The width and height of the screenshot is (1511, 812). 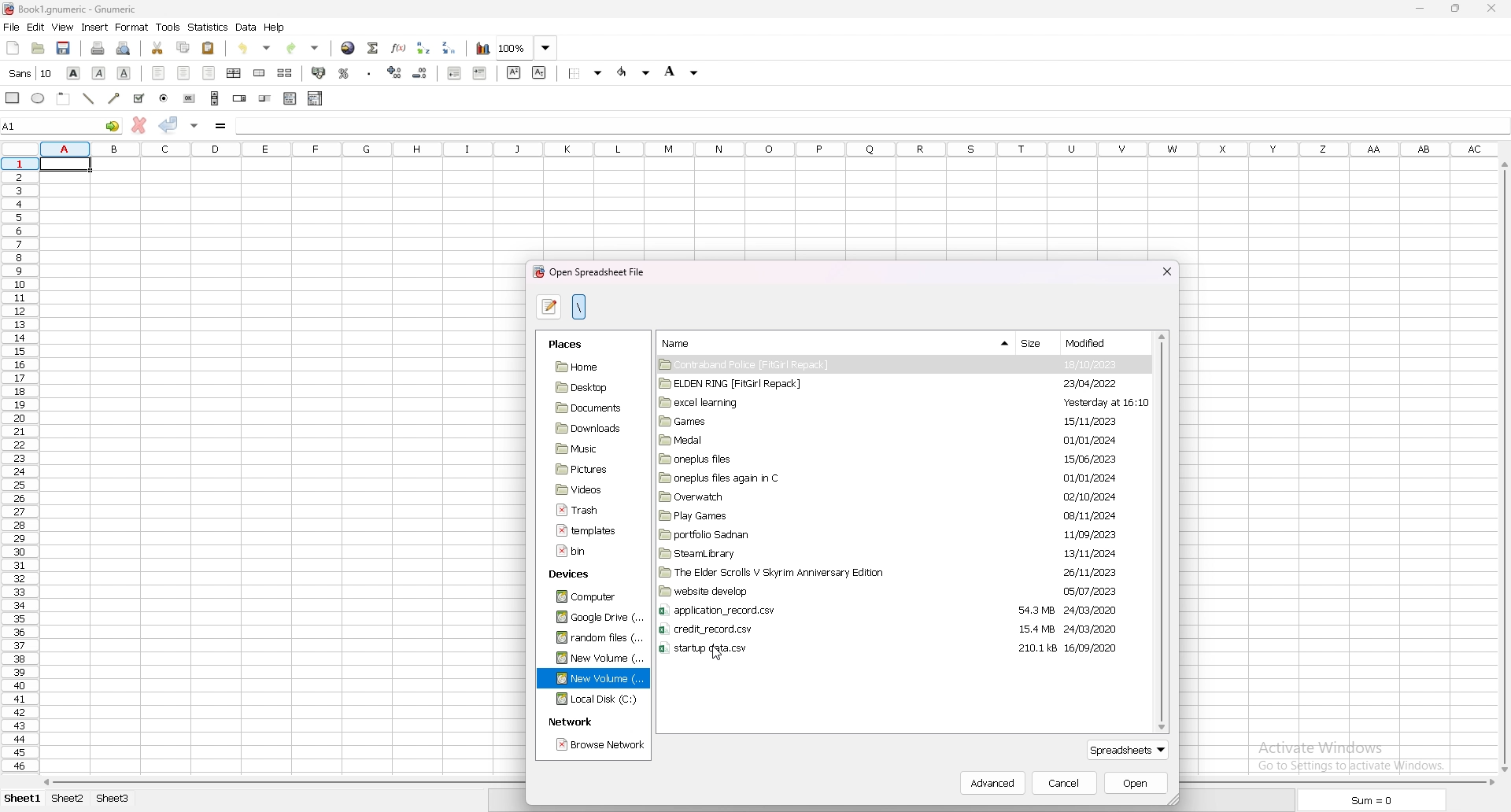 What do you see at coordinates (593, 658) in the screenshot?
I see `folder` at bounding box center [593, 658].